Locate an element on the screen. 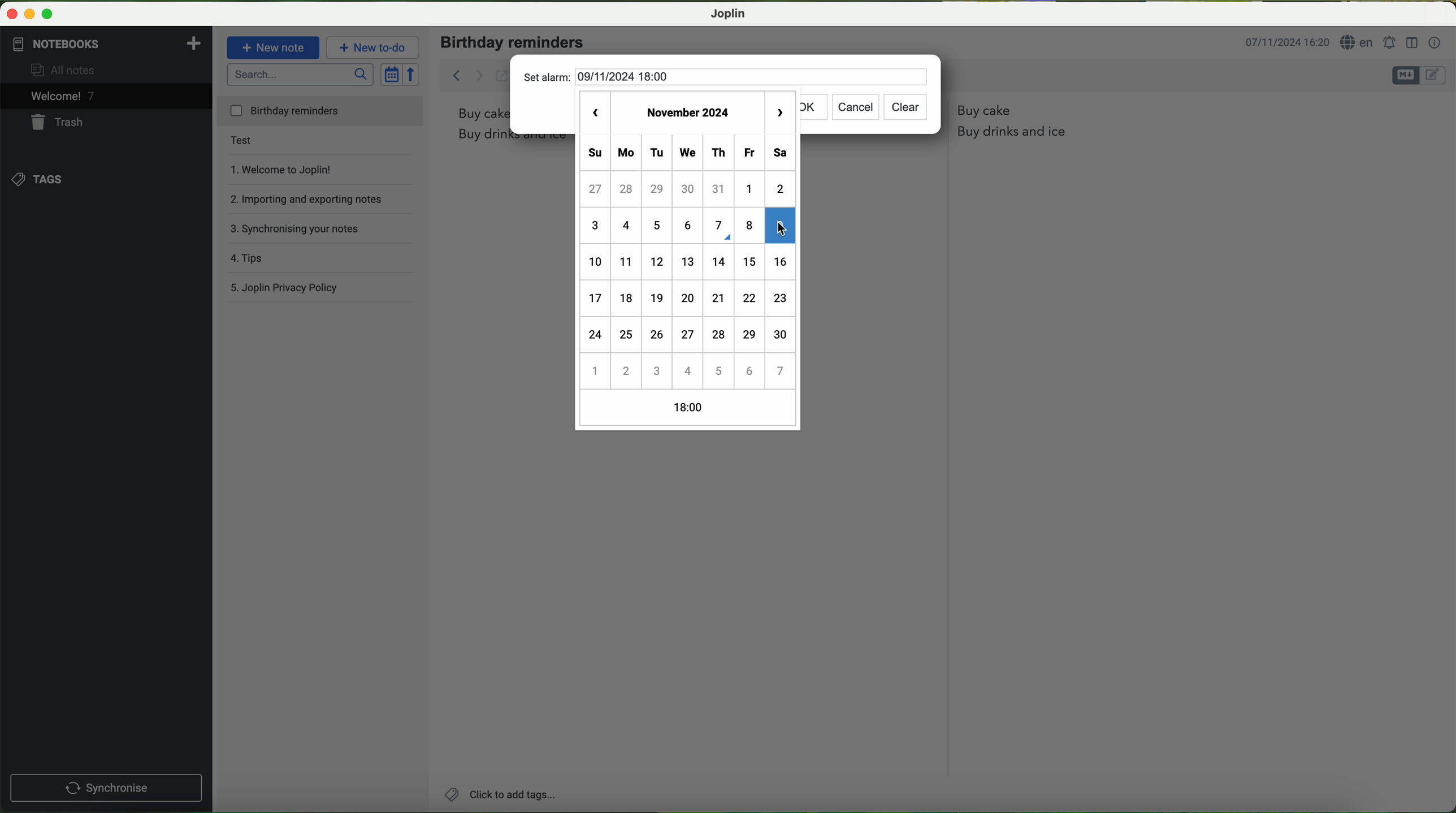 The image size is (1456, 813). test is located at coordinates (261, 142).